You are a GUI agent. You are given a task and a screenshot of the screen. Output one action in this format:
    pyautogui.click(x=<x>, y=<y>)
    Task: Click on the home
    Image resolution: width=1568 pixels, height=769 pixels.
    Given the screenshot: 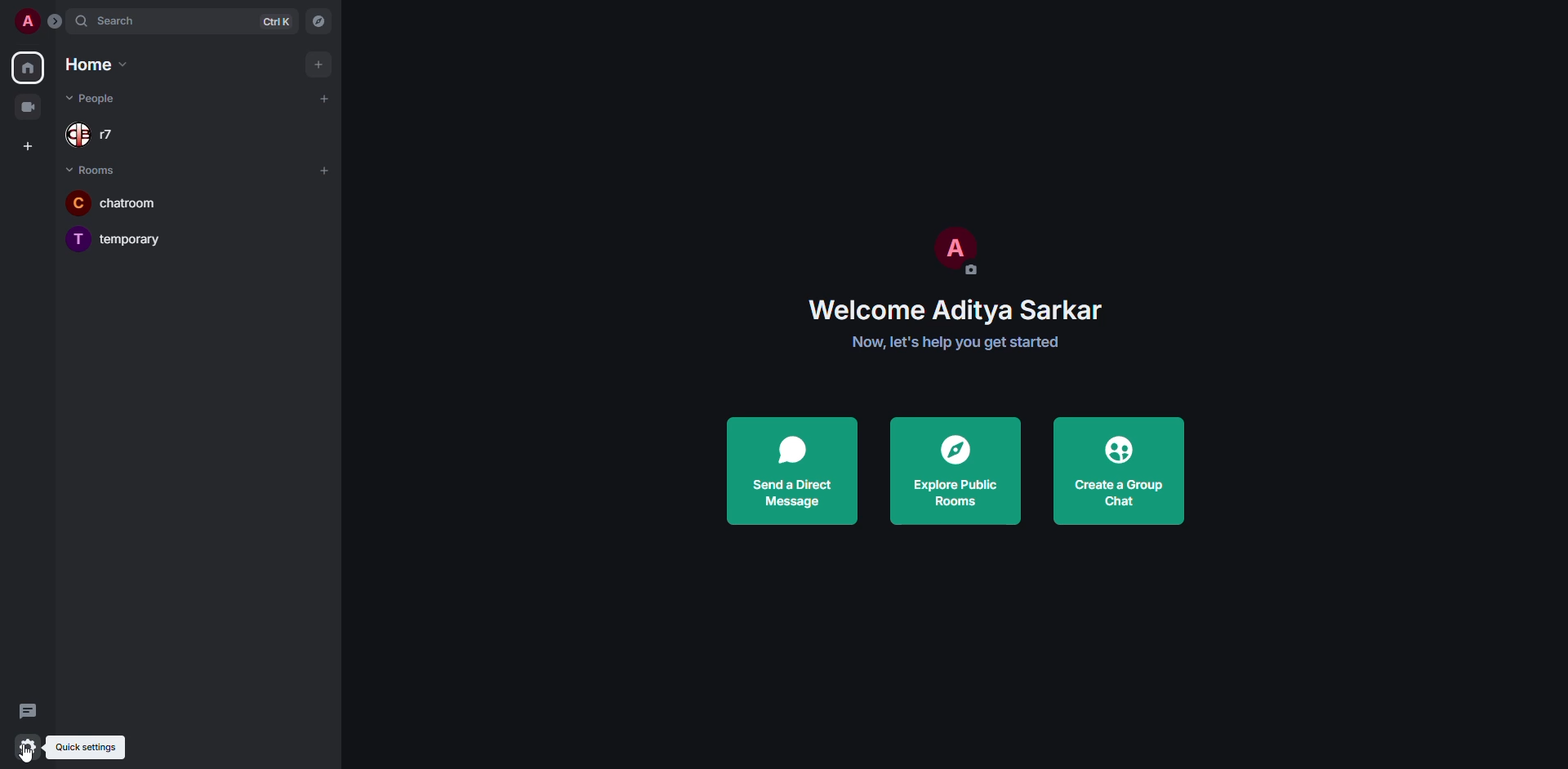 What is the action you would take?
    pyautogui.click(x=91, y=64)
    